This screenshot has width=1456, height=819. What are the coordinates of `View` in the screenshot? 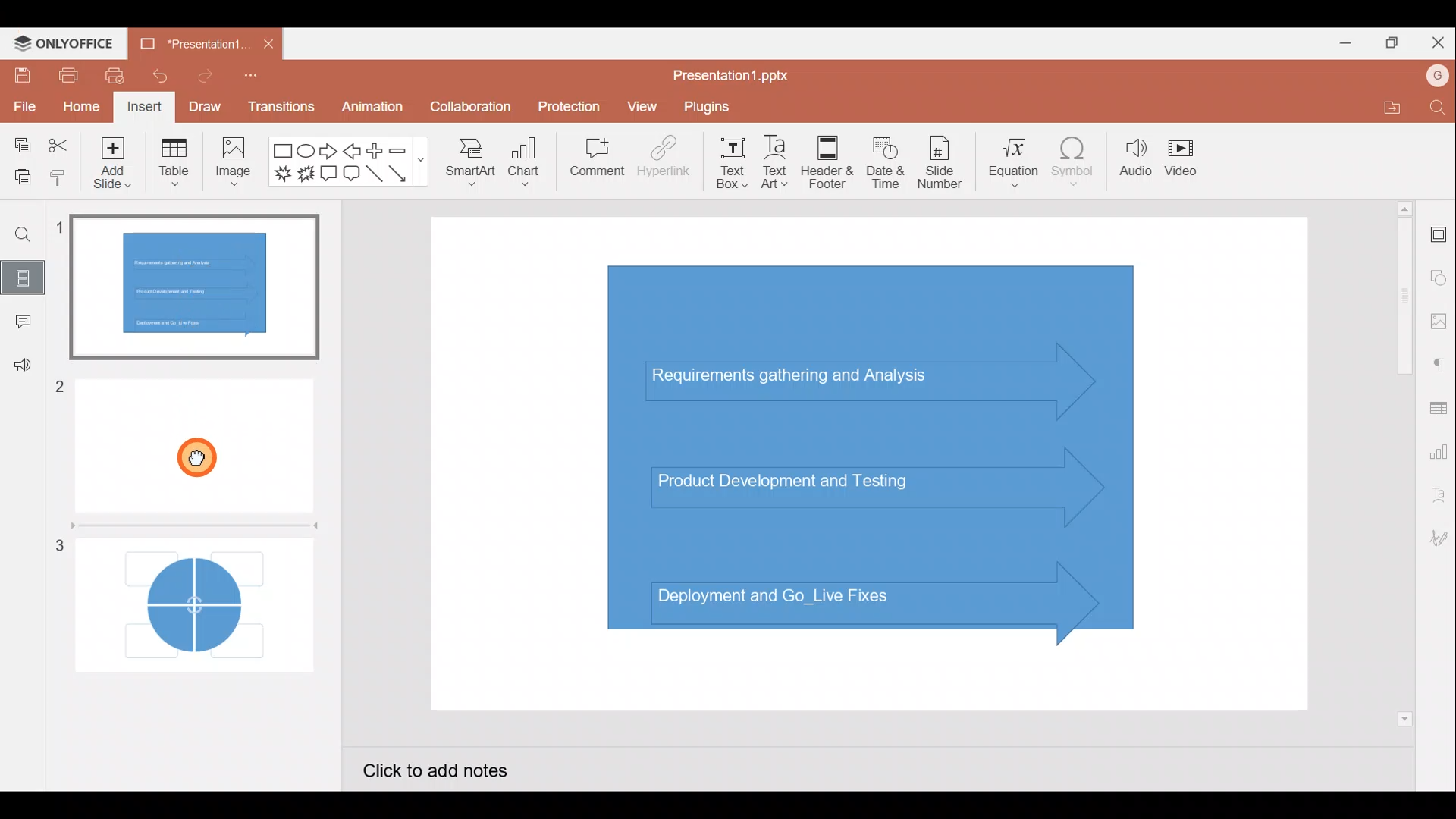 It's located at (642, 108).